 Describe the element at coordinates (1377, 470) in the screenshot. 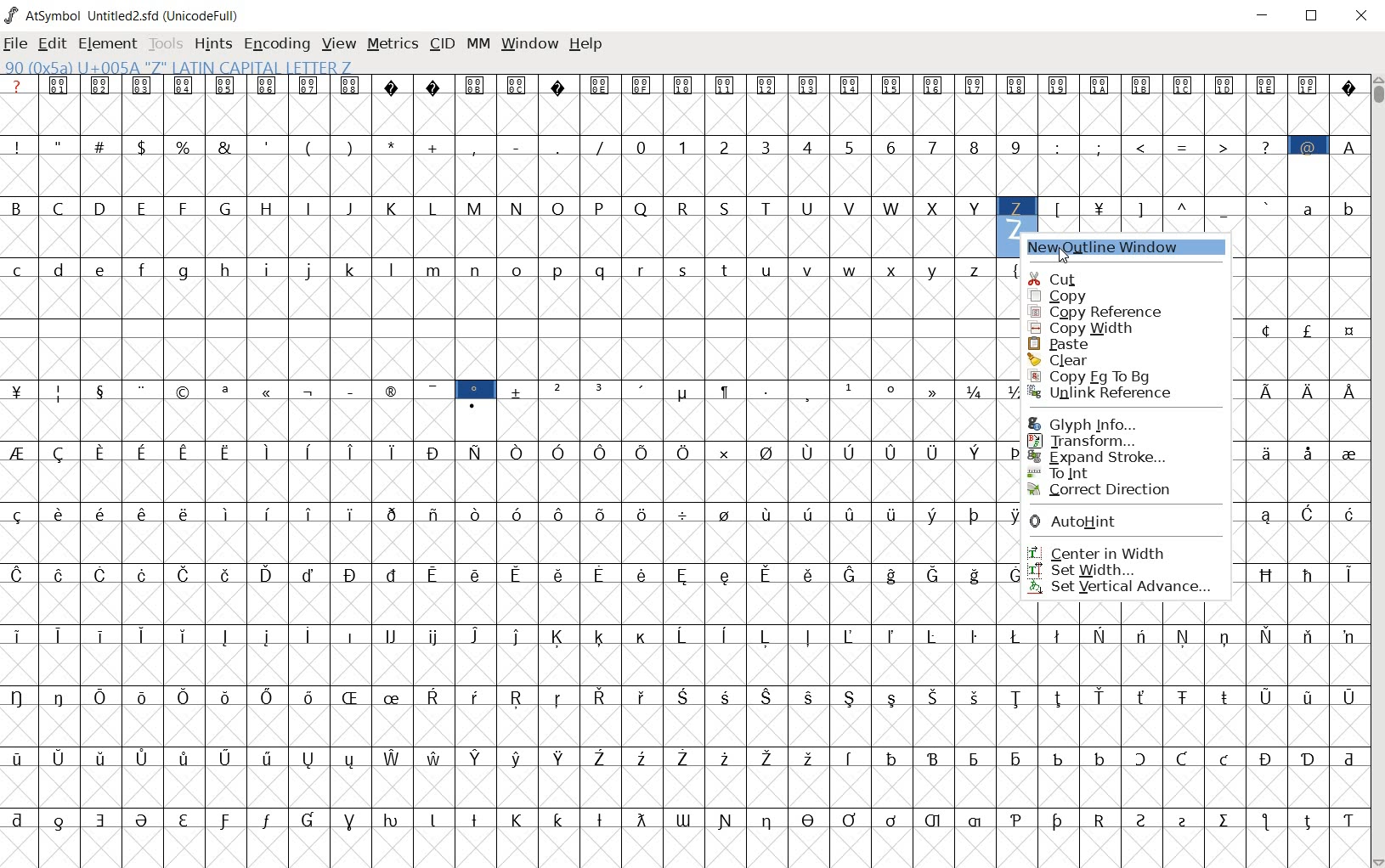

I see `scrollbar` at that location.